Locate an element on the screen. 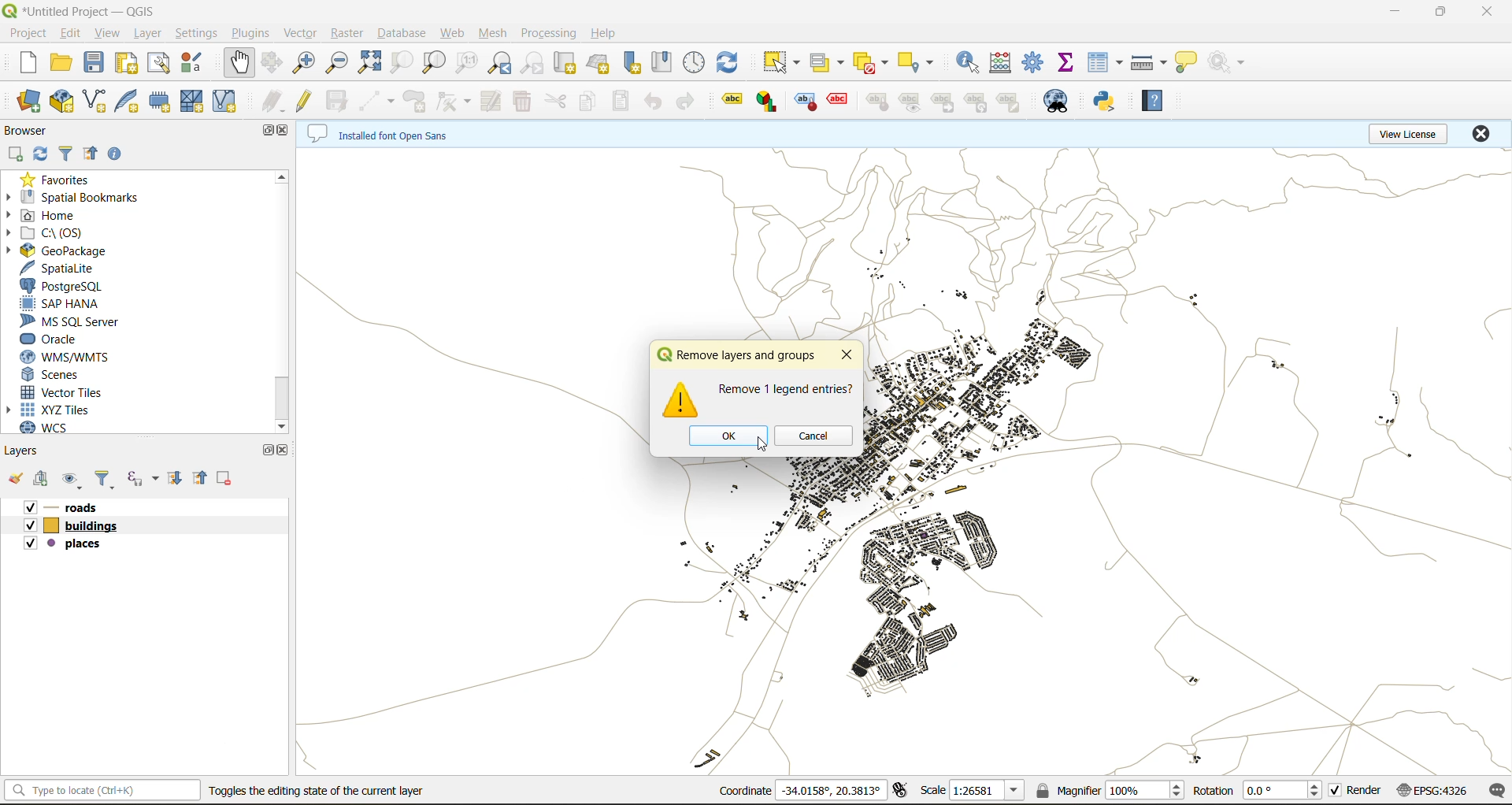  web is located at coordinates (451, 35).